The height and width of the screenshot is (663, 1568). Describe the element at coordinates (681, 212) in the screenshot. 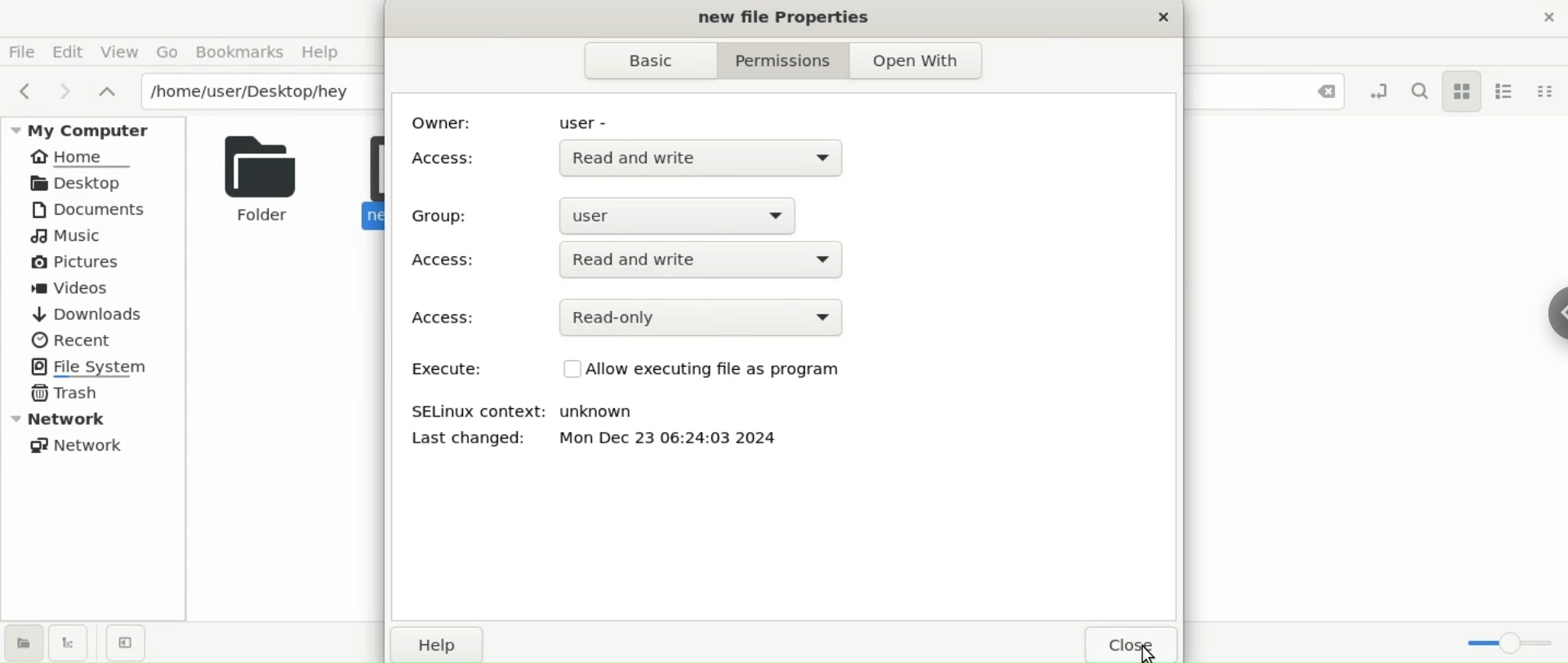

I see `user ` at that location.